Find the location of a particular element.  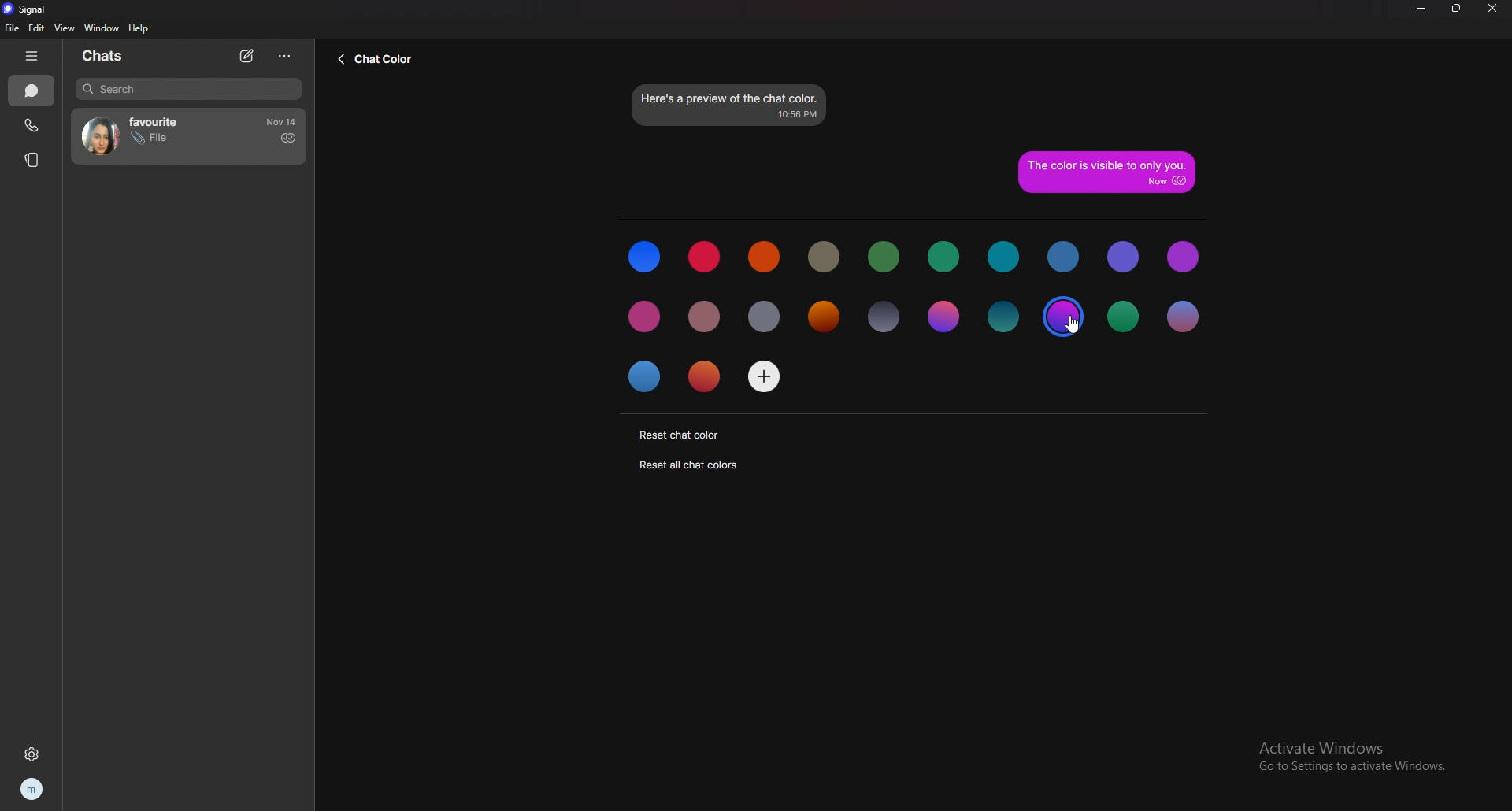

help is located at coordinates (140, 29).